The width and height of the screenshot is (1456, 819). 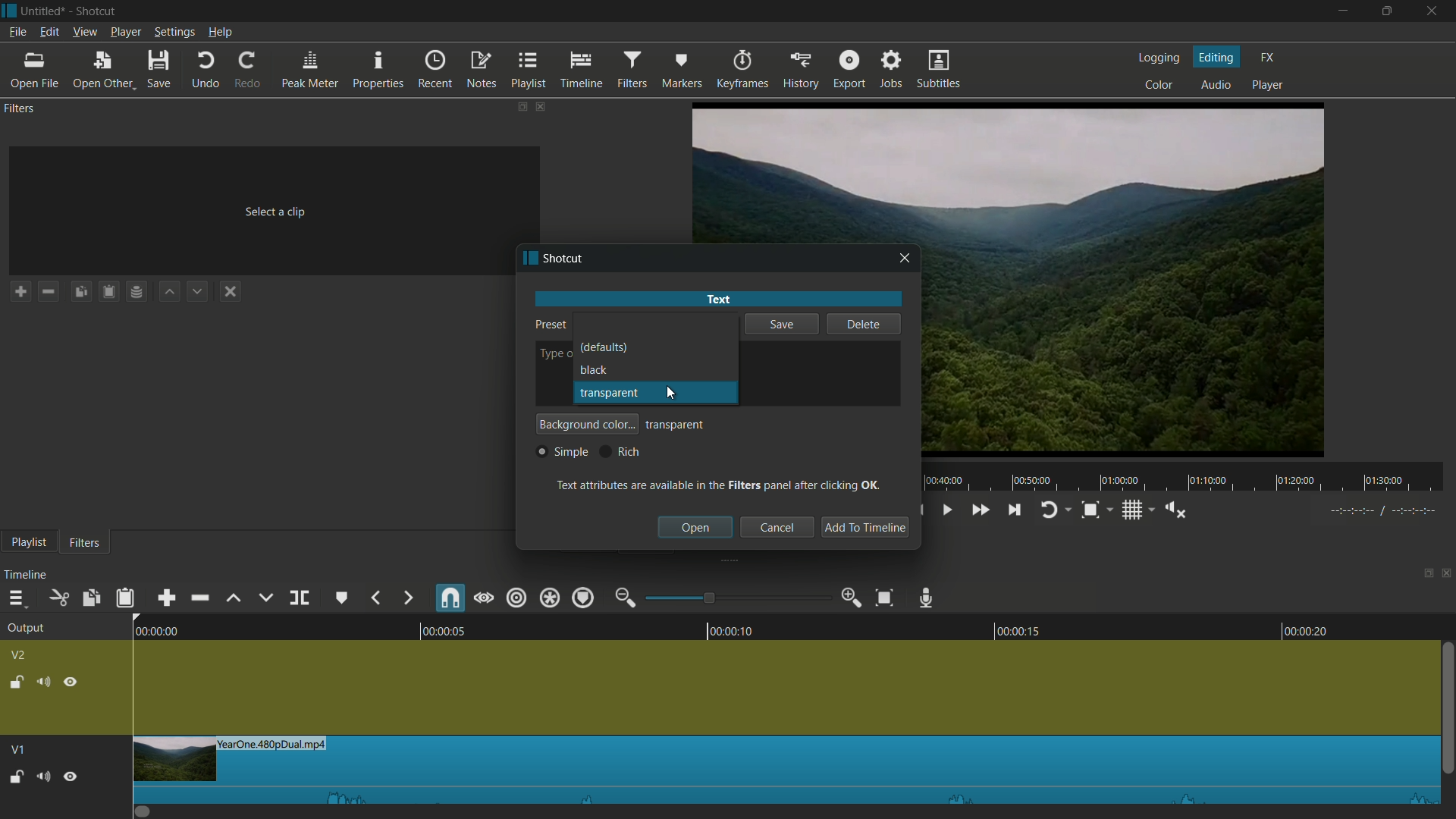 I want to click on save, so click(x=780, y=326).